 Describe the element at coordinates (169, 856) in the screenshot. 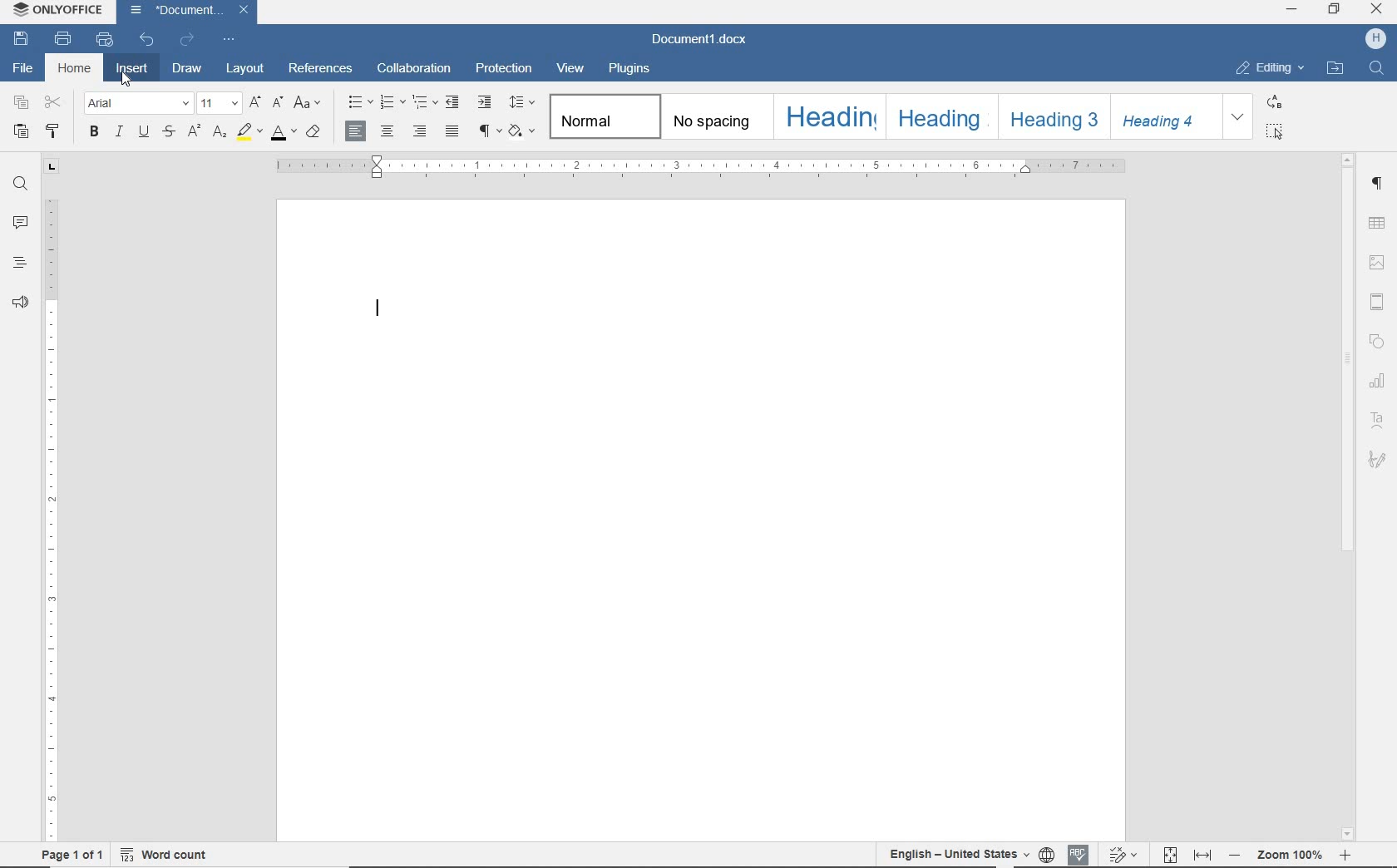

I see `word count` at that location.